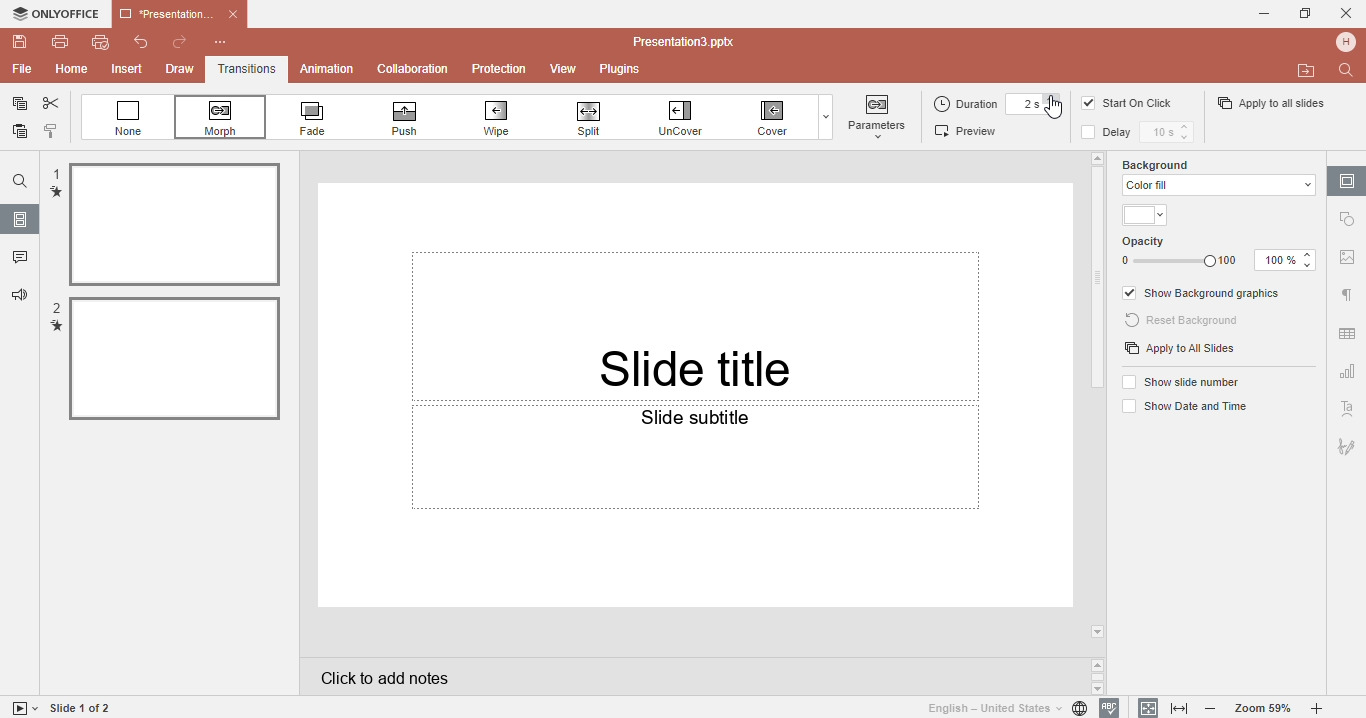 This screenshot has width=1366, height=718. Describe the element at coordinates (19, 259) in the screenshot. I see `Comments` at that location.